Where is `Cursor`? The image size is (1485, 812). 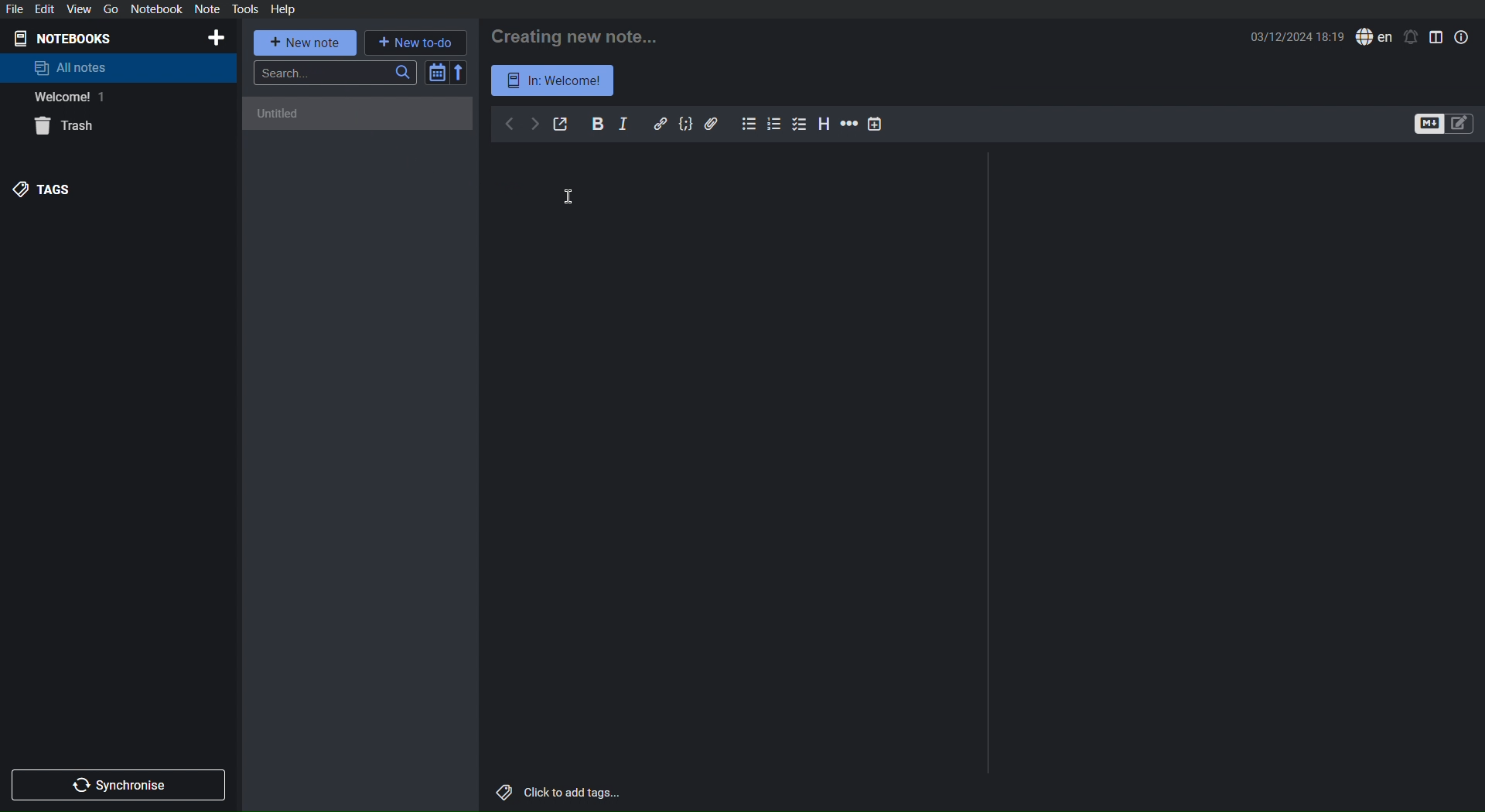
Cursor is located at coordinates (567, 193).